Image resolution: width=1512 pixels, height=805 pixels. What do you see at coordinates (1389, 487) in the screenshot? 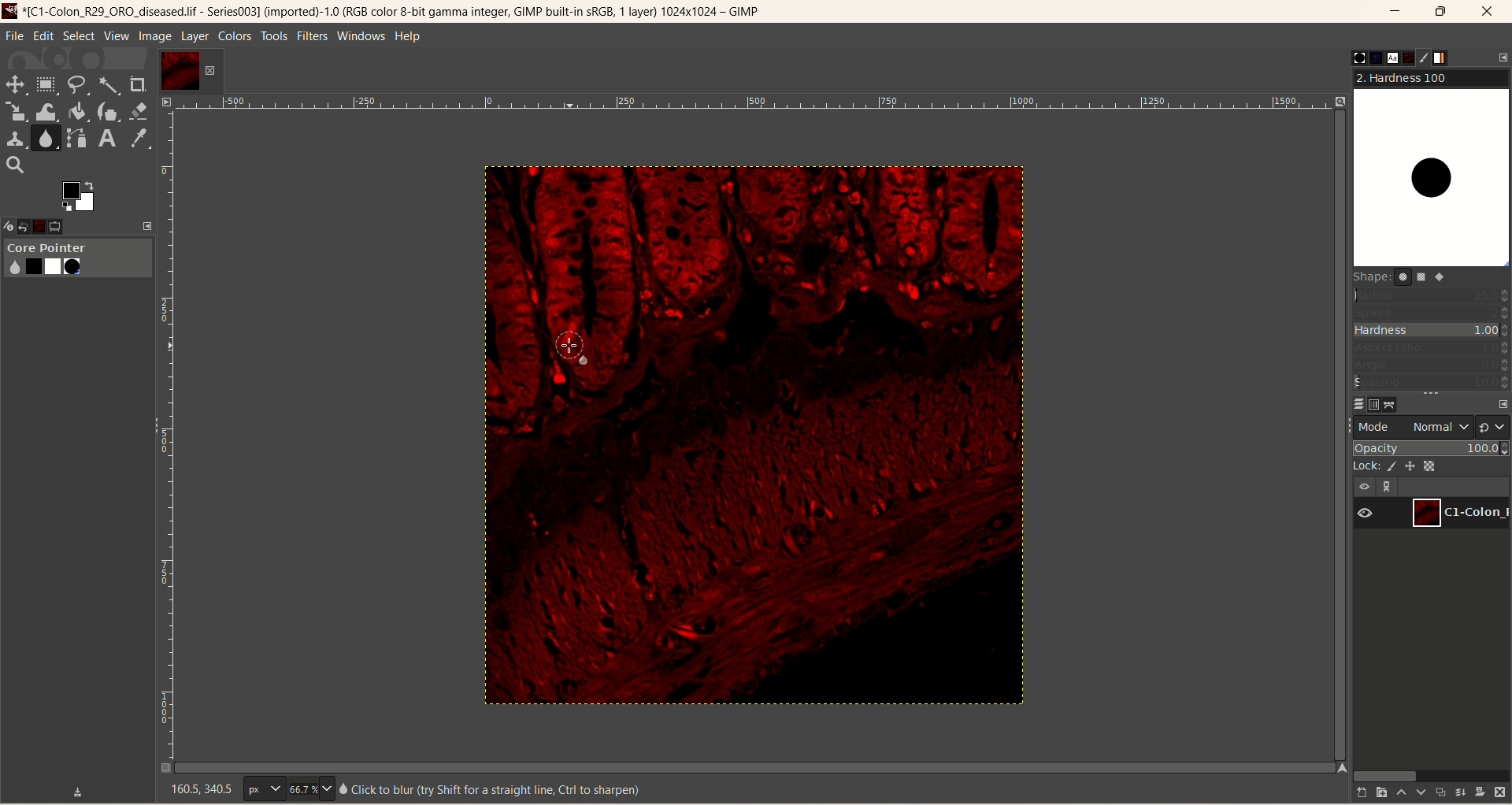
I see `link layer` at bounding box center [1389, 487].